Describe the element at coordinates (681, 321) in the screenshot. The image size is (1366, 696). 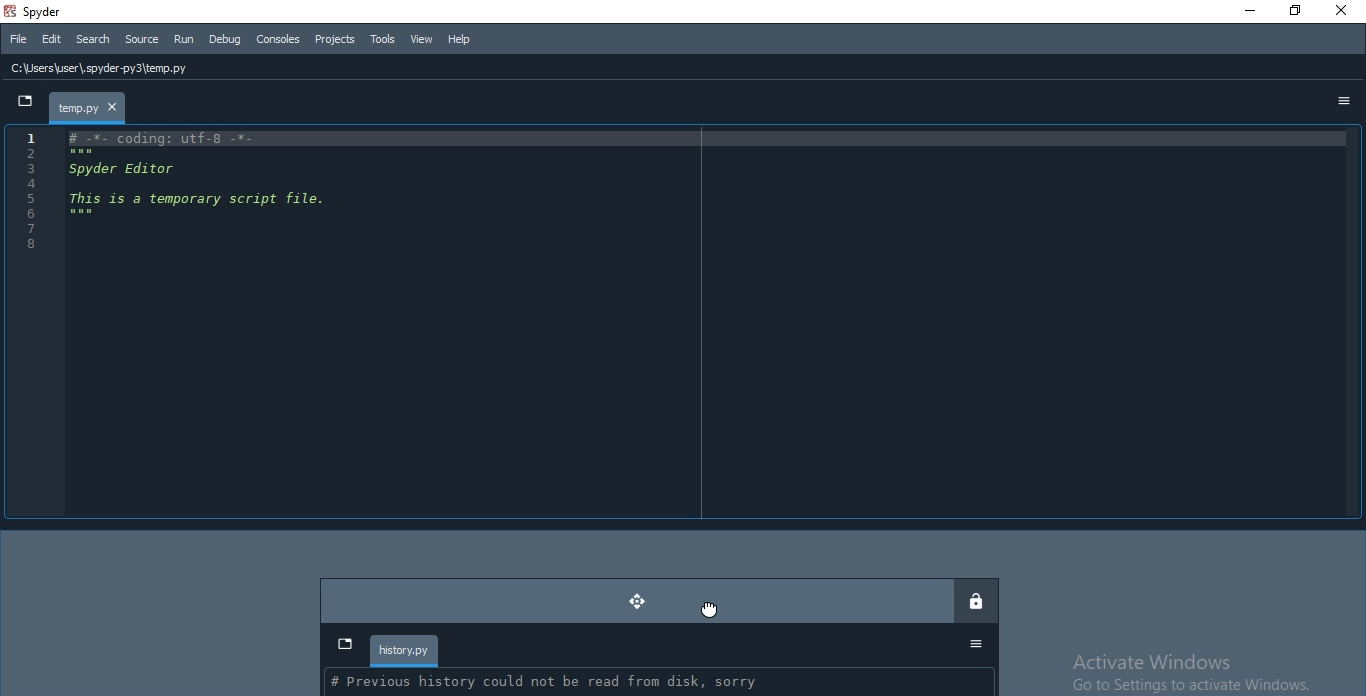
I see `IDE` at that location.